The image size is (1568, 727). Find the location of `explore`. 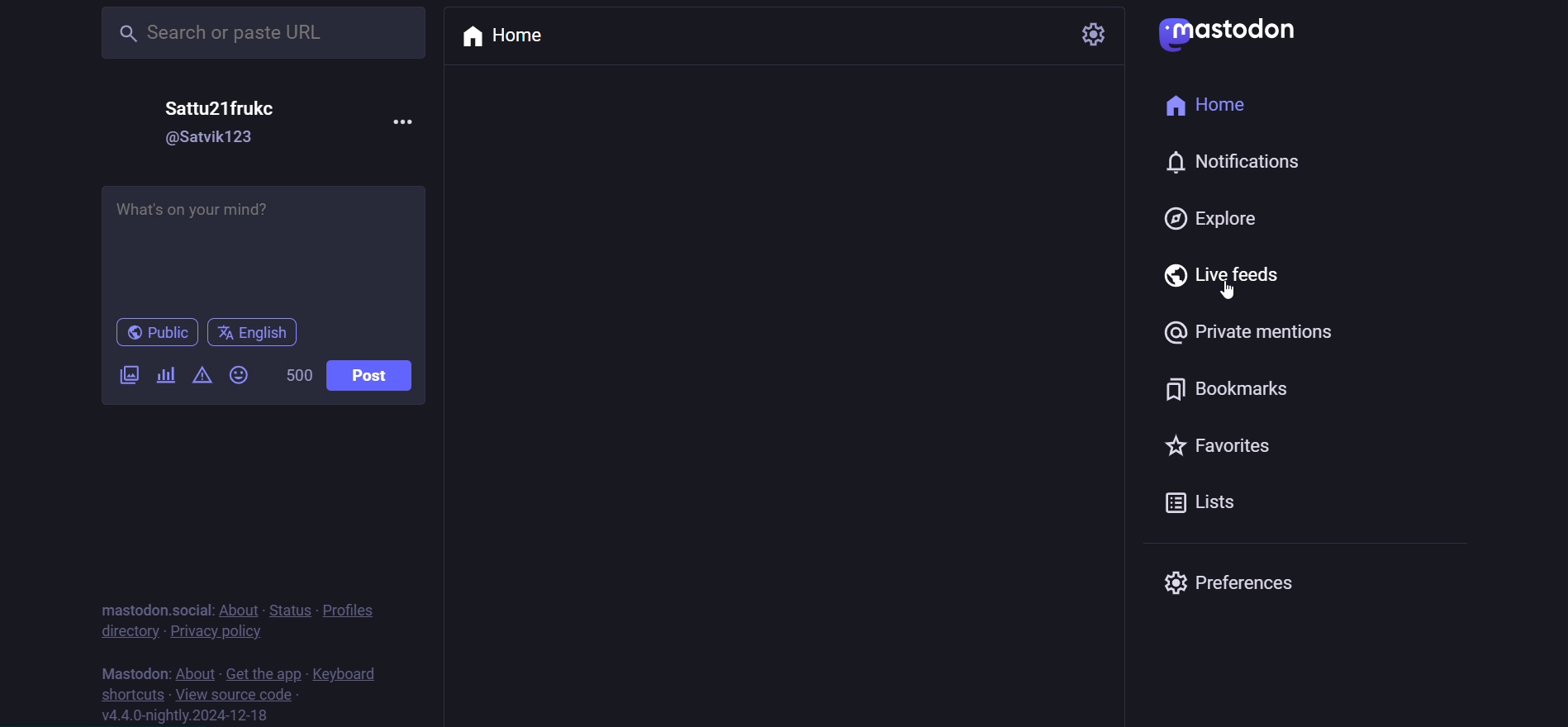

explore is located at coordinates (1218, 215).